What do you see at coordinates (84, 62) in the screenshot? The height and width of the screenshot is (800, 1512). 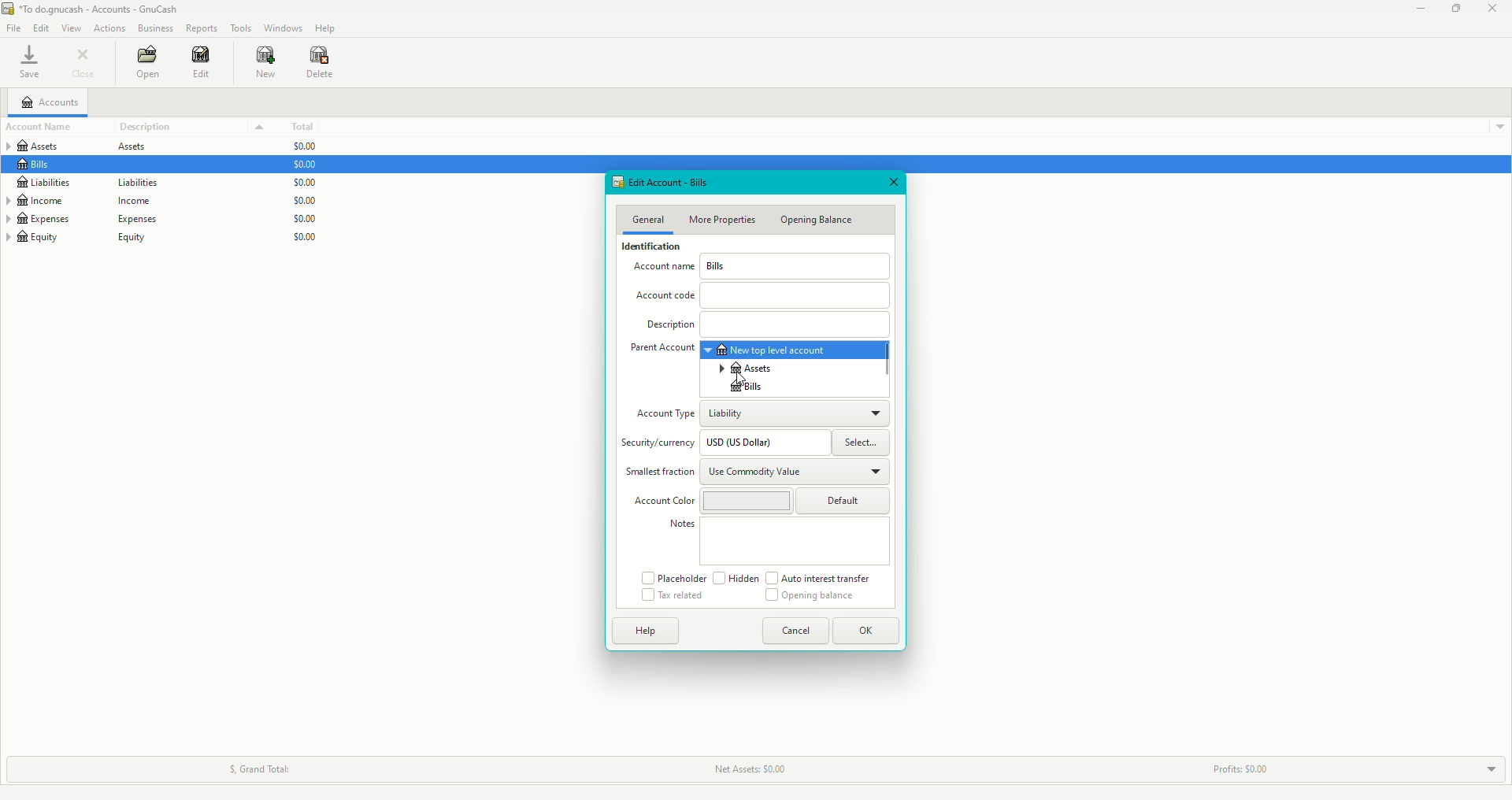 I see `Close` at bounding box center [84, 62].